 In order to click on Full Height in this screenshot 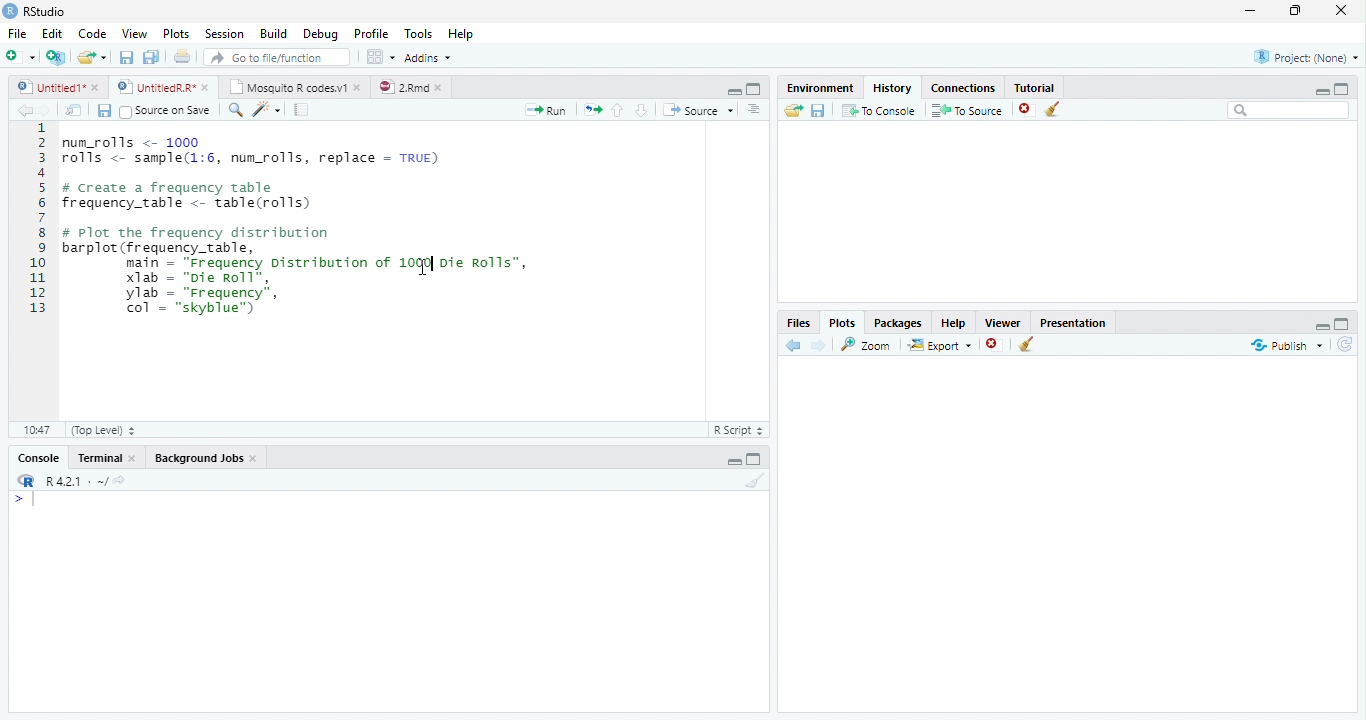, I will do `click(1344, 89)`.